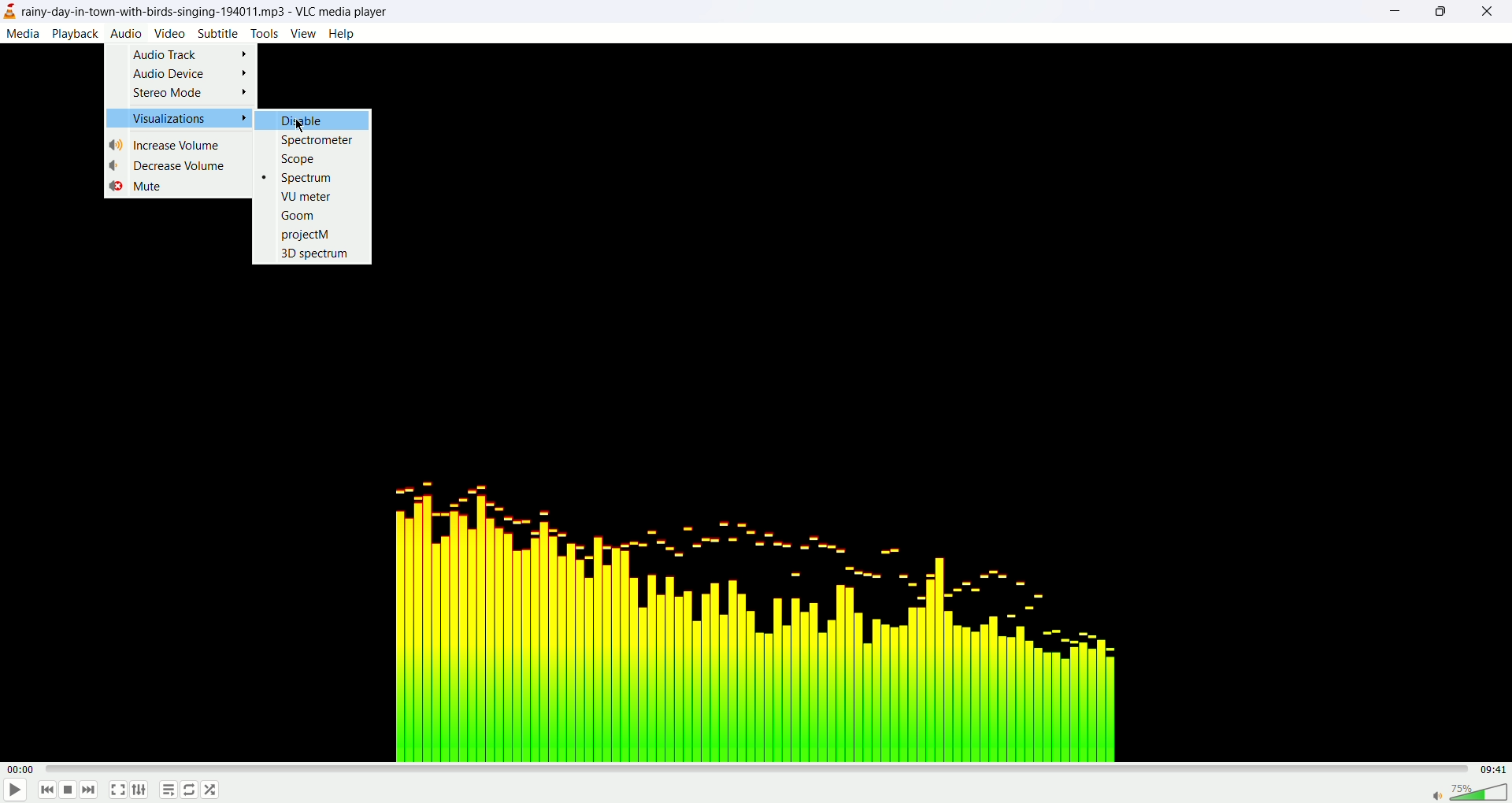 The height and width of the screenshot is (803, 1512). I want to click on playback, so click(76, 34).